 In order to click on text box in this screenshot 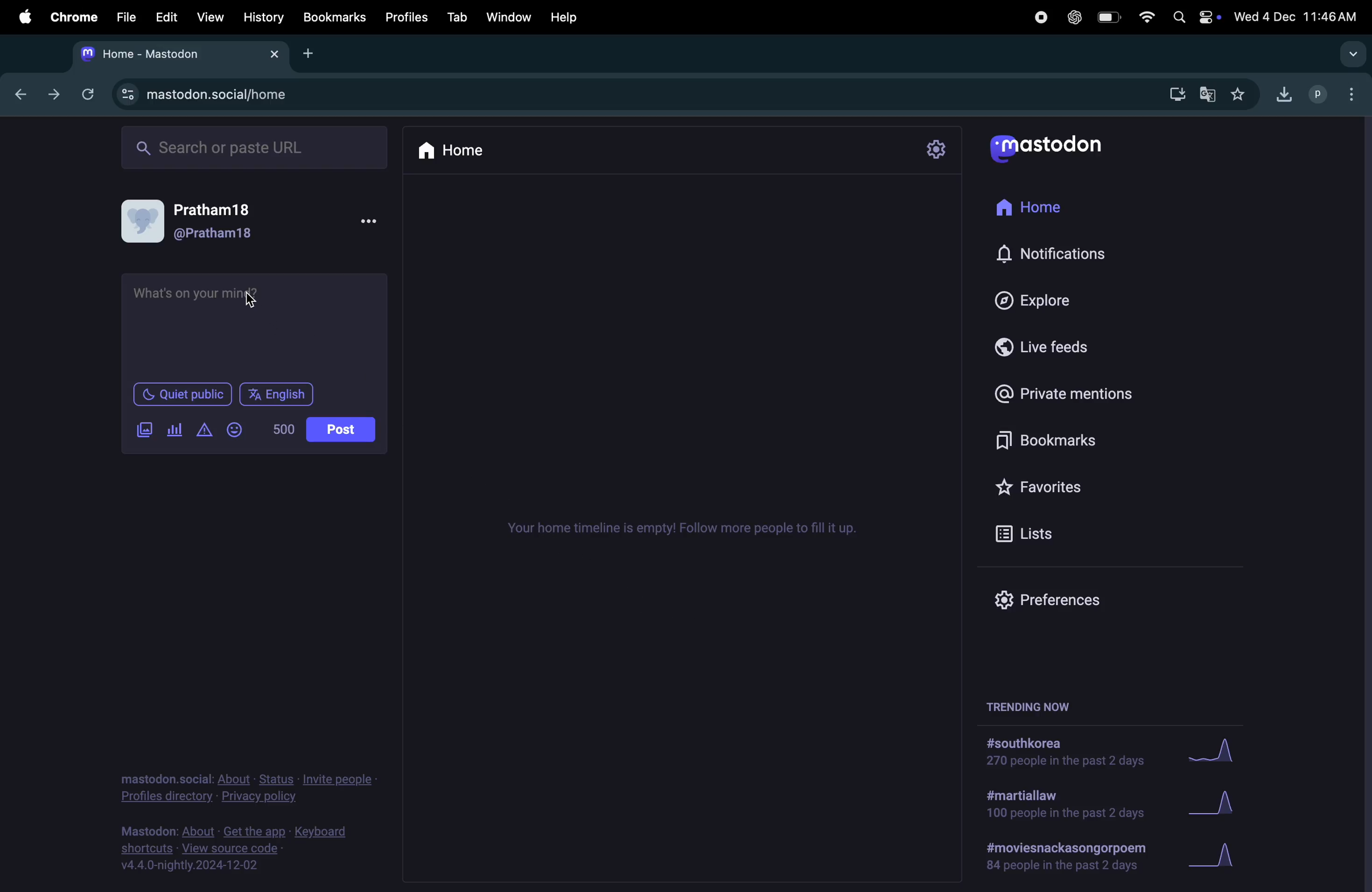, I will do `click(256, 326)`.